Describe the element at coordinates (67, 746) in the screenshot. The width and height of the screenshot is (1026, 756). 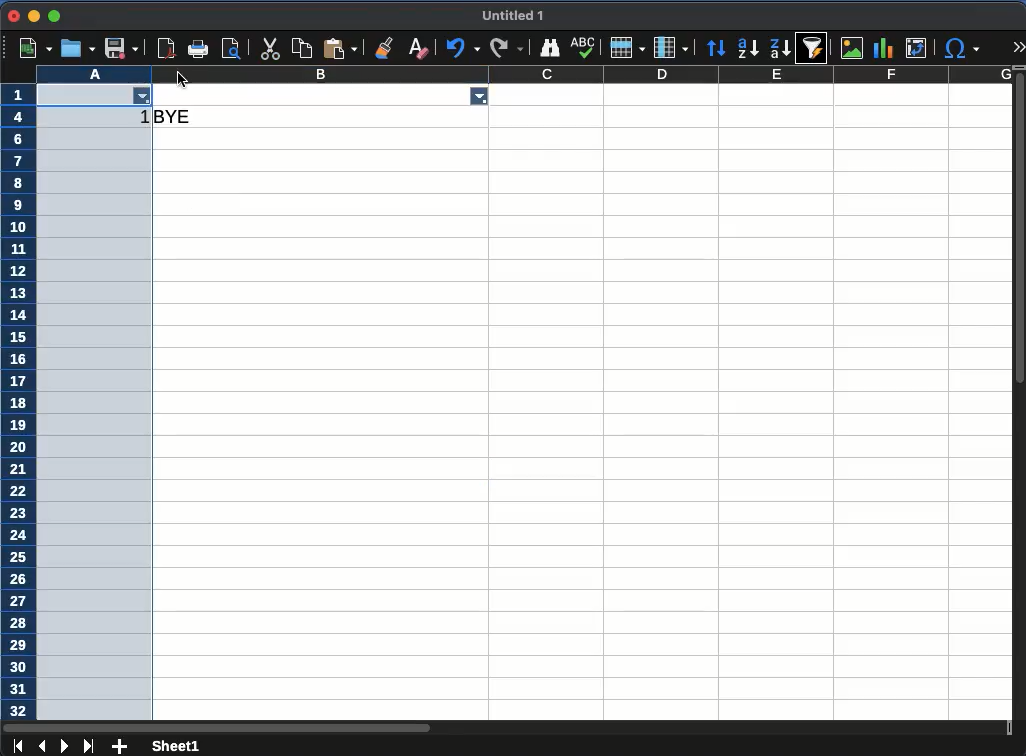
I see `next sheet` at that location.